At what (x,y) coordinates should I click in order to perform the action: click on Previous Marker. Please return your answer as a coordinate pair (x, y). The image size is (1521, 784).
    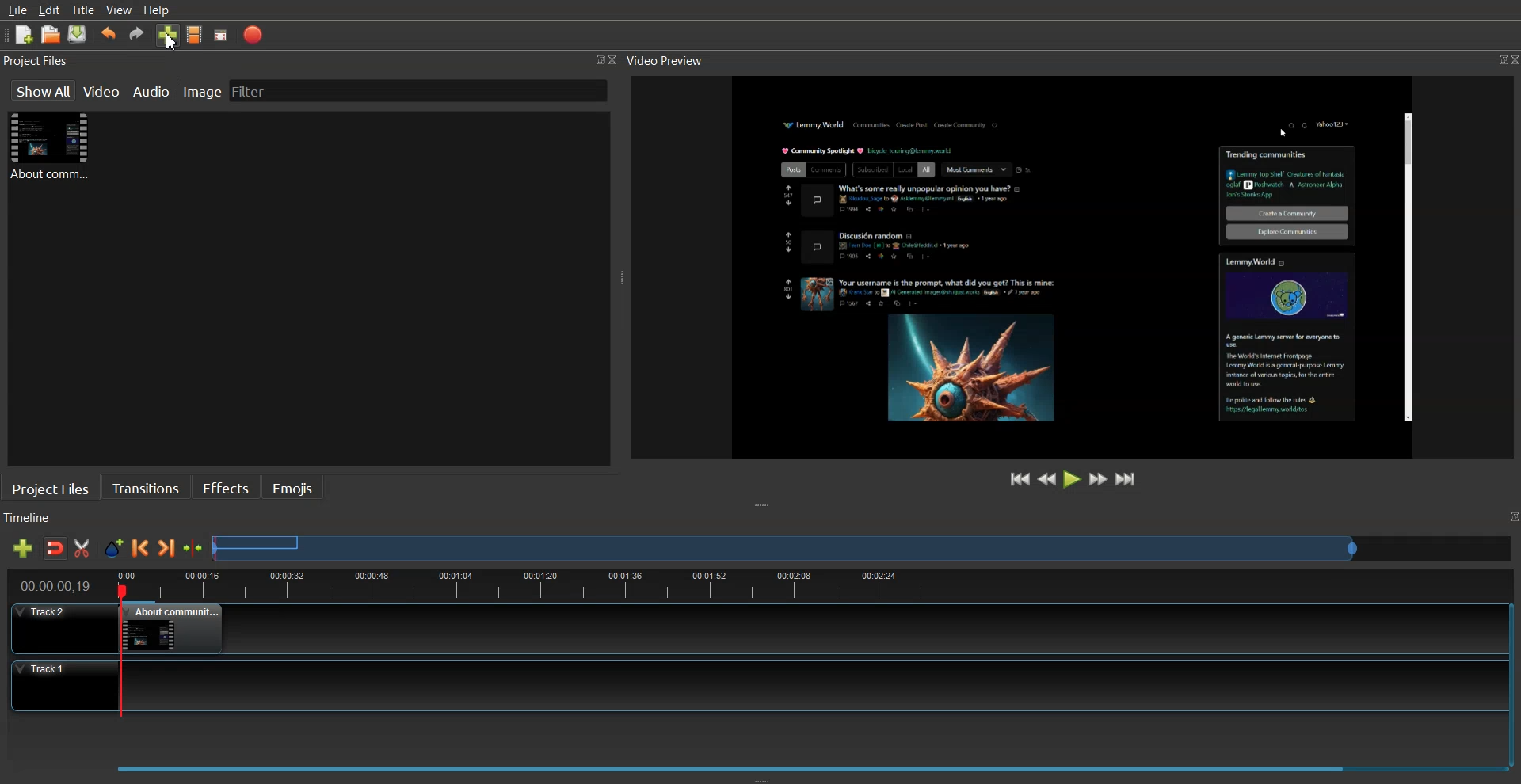
    Looking at the image, I should click on (140, 547).